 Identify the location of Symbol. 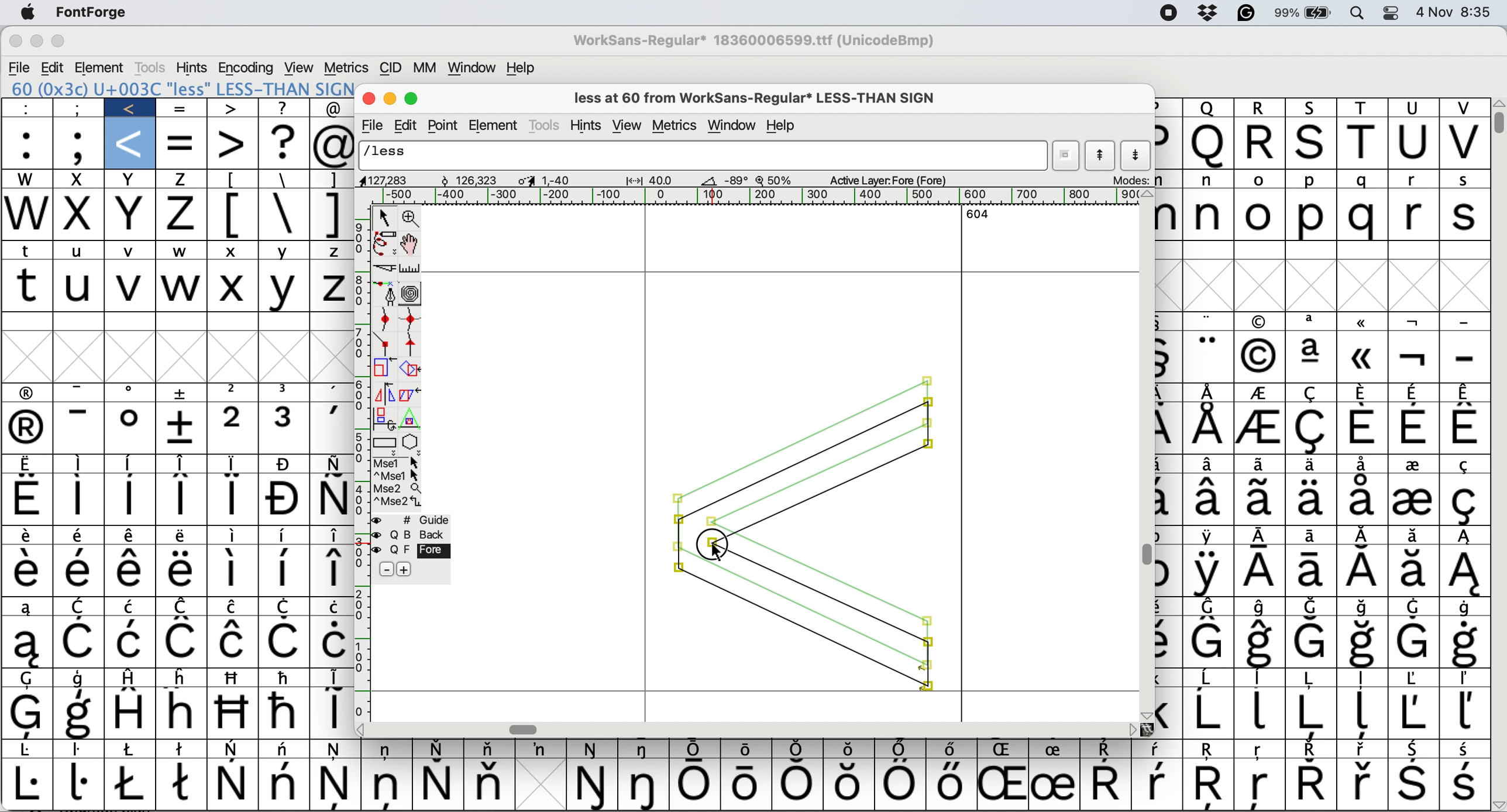
(1465, 392).